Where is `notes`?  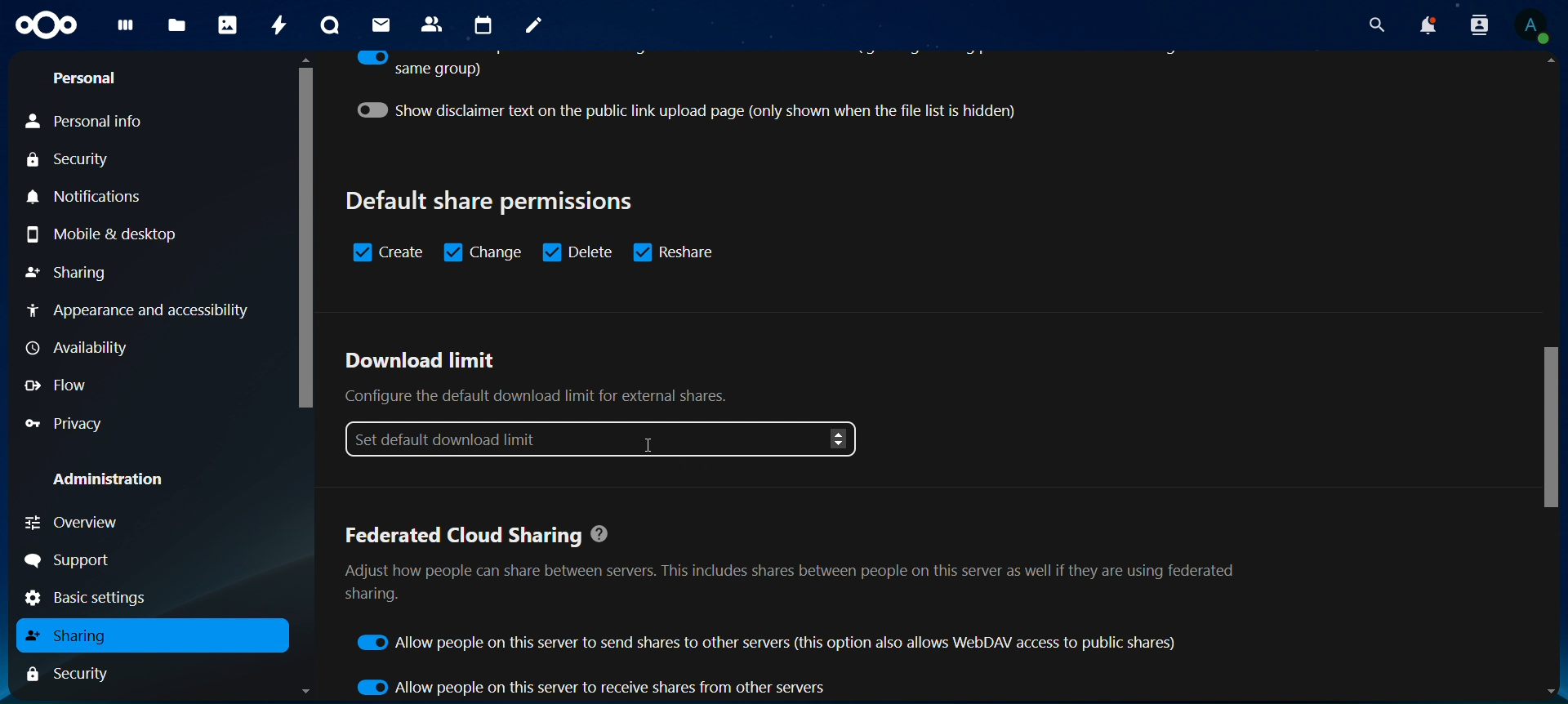 notes is located at coordinates (535, 28).